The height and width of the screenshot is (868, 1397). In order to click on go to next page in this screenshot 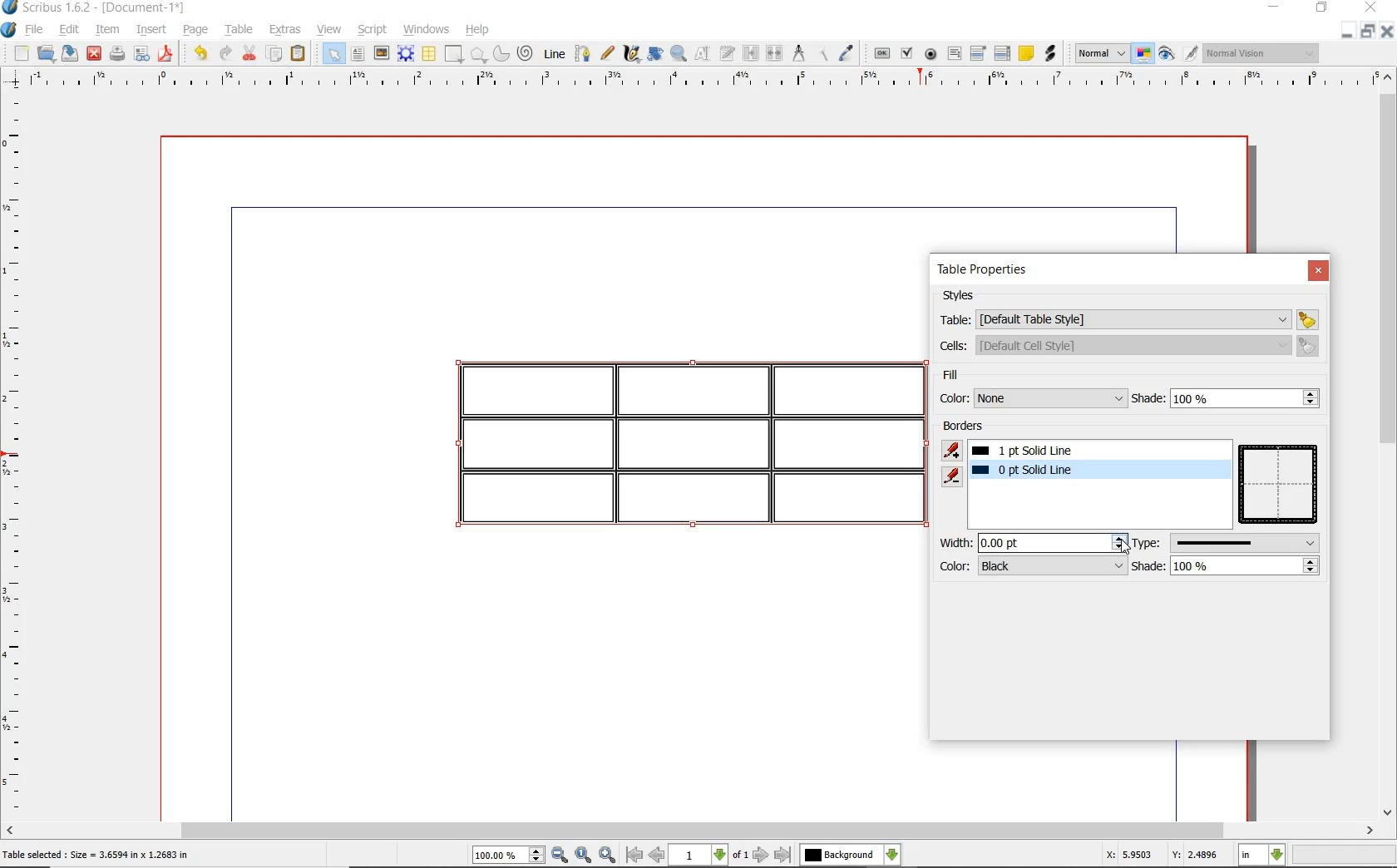, I will do `click(762, 854)`.